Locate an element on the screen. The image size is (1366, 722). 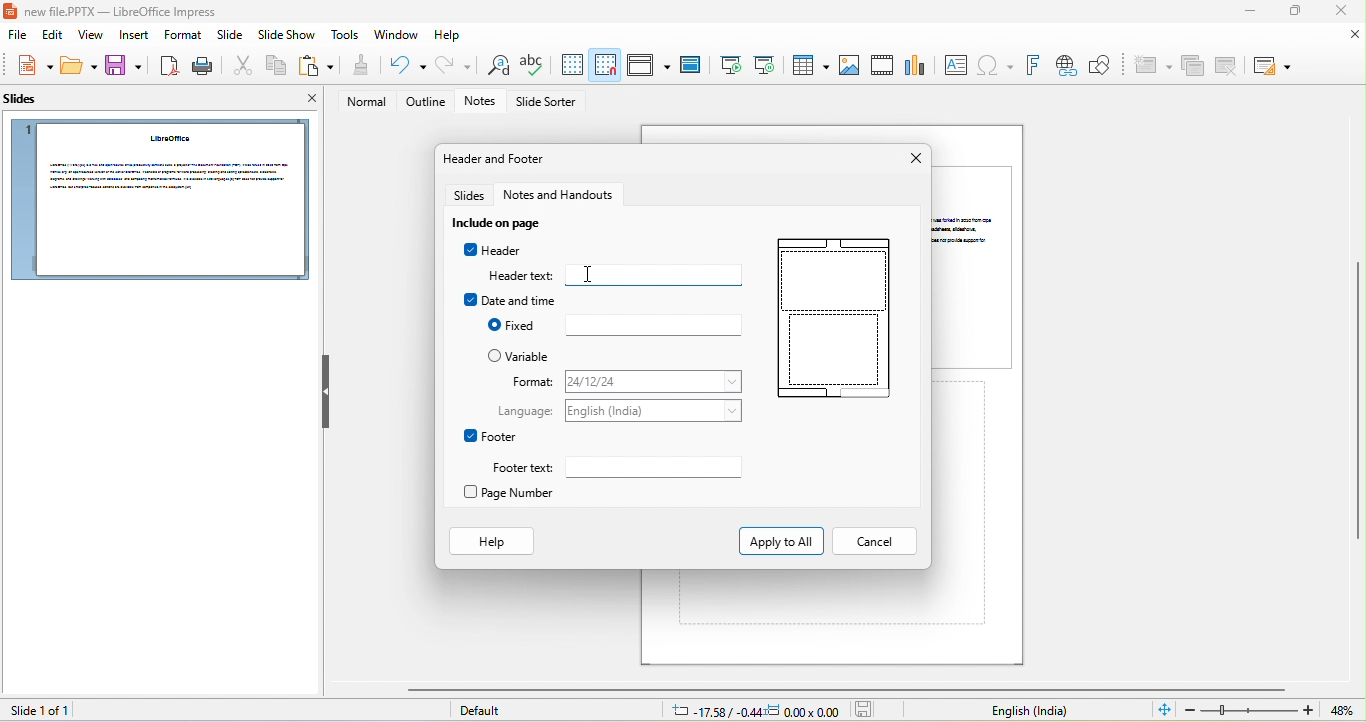
footer is located at coordinates (491, 436).